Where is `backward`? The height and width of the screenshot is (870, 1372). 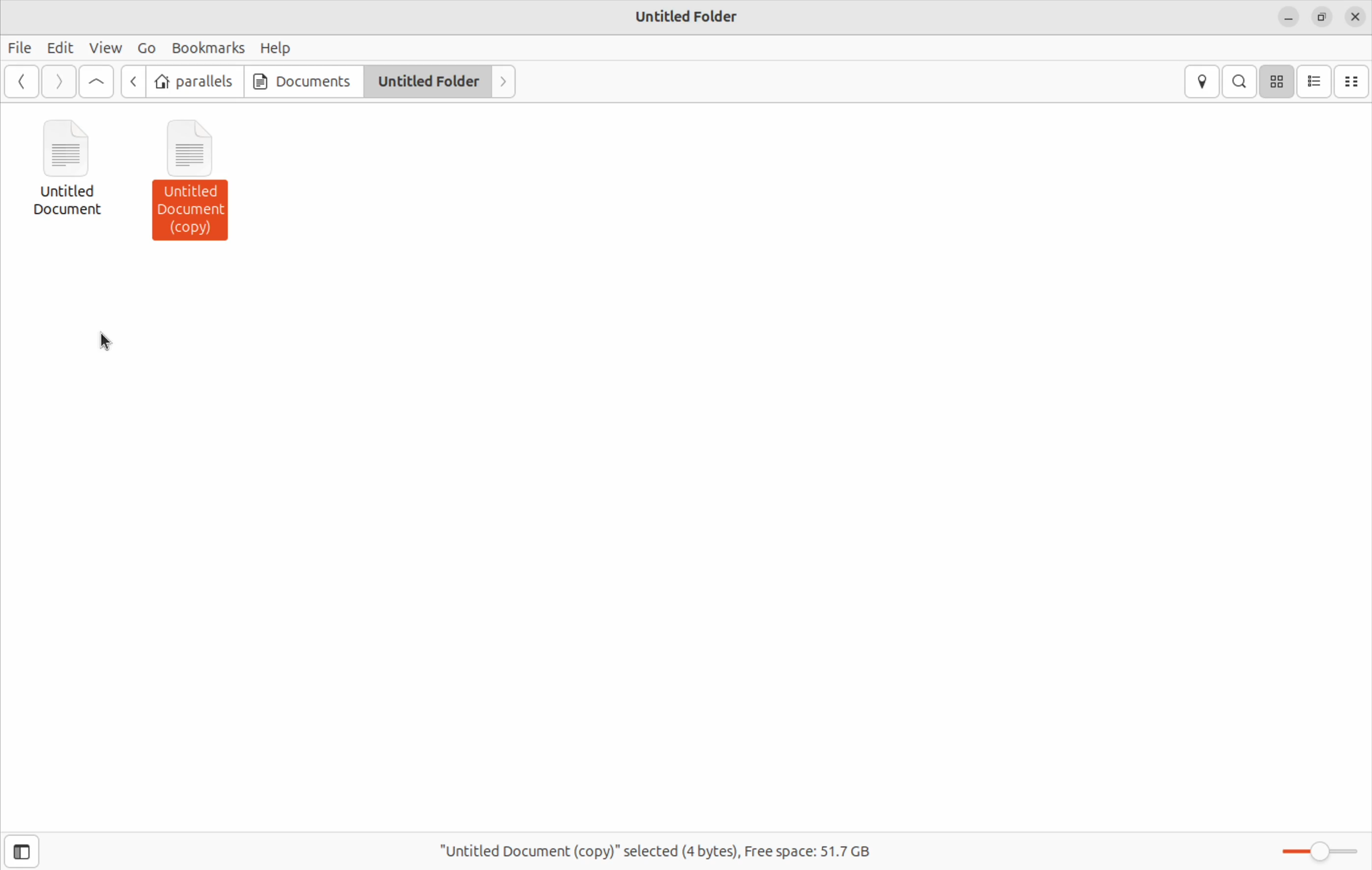 backward is located at coordinates (22, 83).